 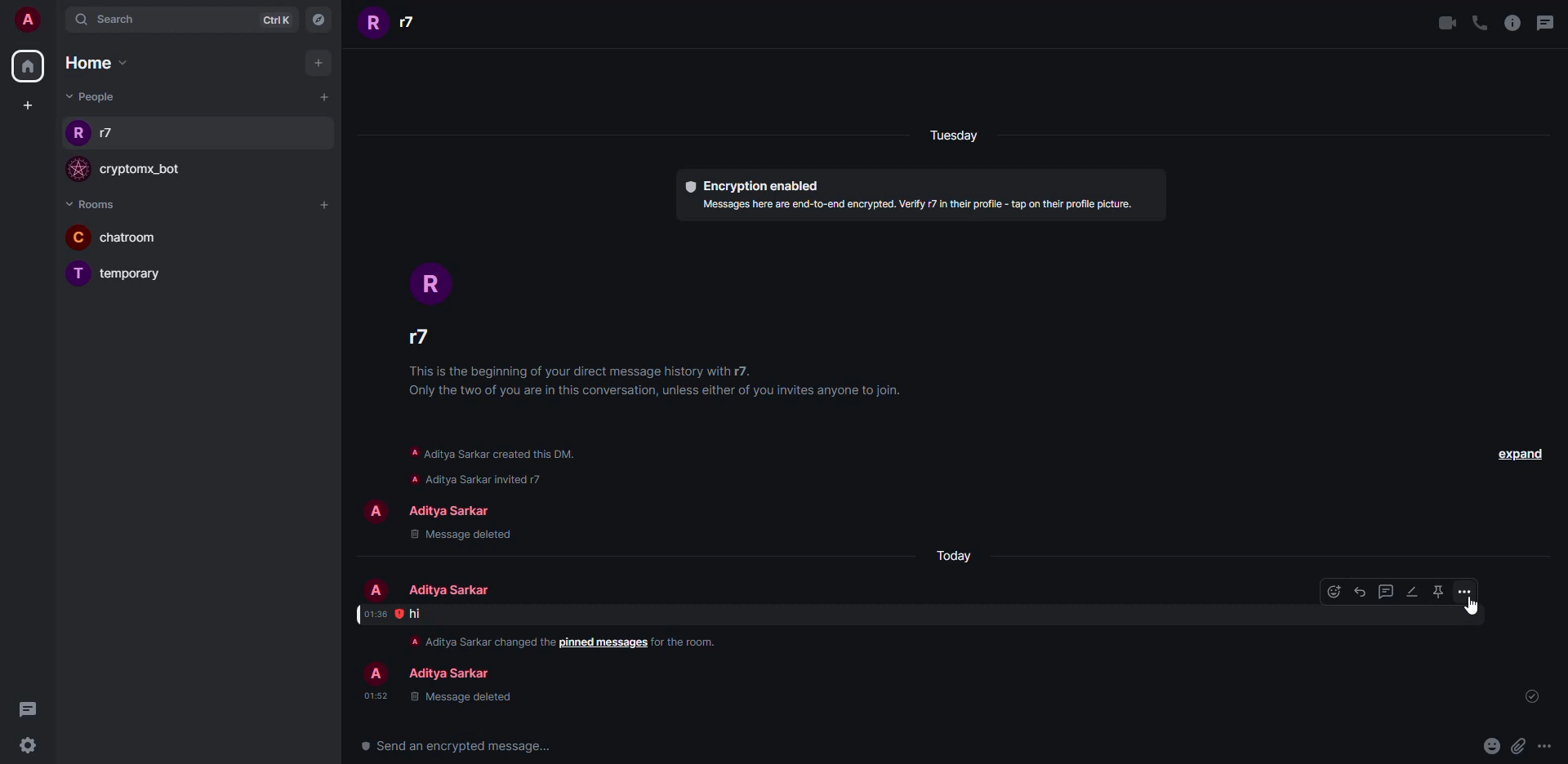 I want to click on more, so click(x=1544, y=747).